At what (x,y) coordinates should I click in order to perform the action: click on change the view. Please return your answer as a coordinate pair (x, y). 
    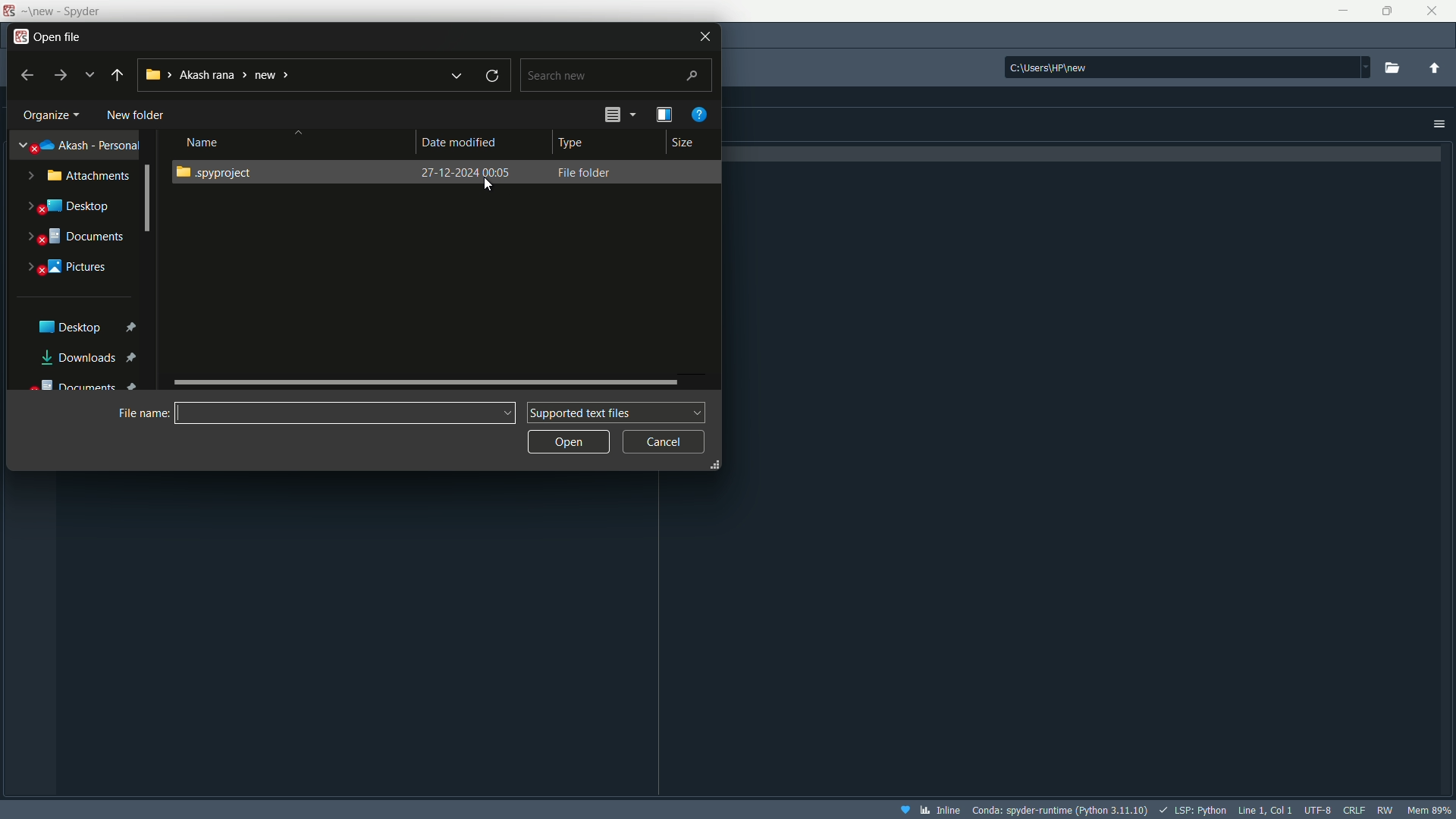
    Looking at the image, I should click on (619, 115).